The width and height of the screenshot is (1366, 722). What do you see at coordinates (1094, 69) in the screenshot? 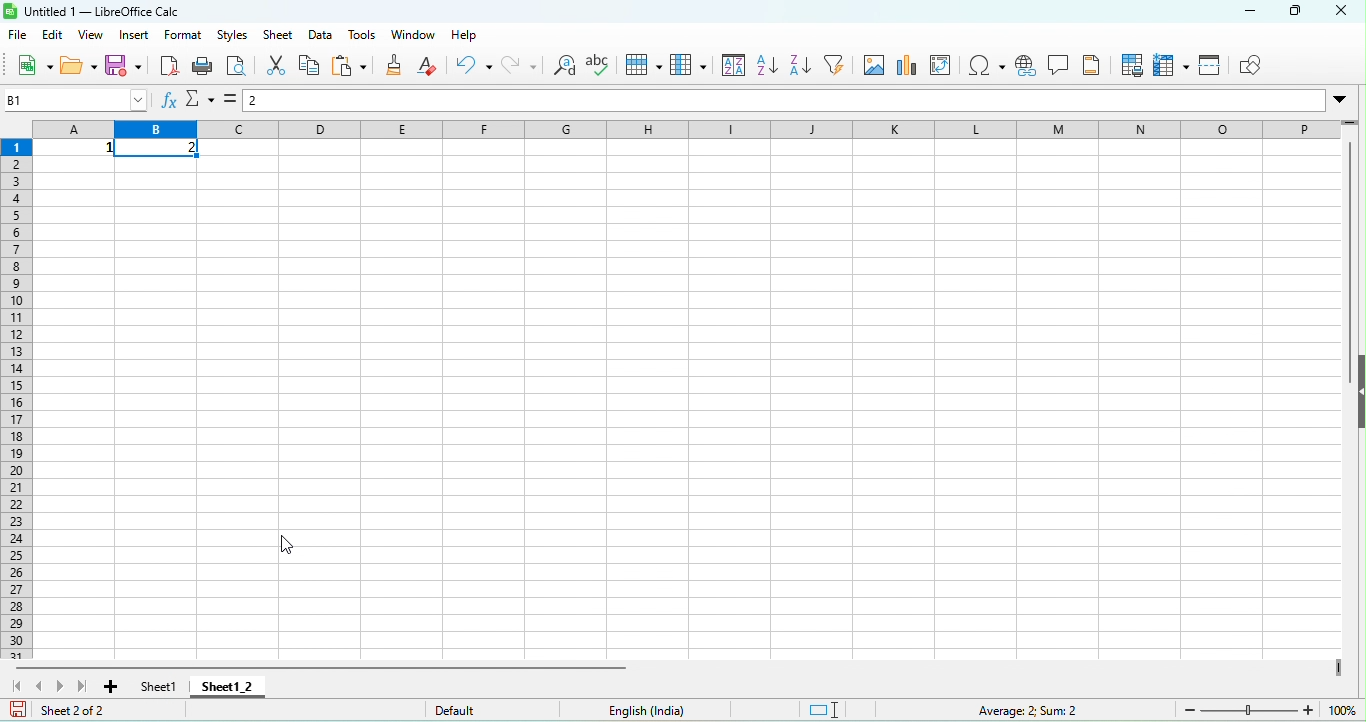
I see `headers and footers` at bounding box center [1094, 69].